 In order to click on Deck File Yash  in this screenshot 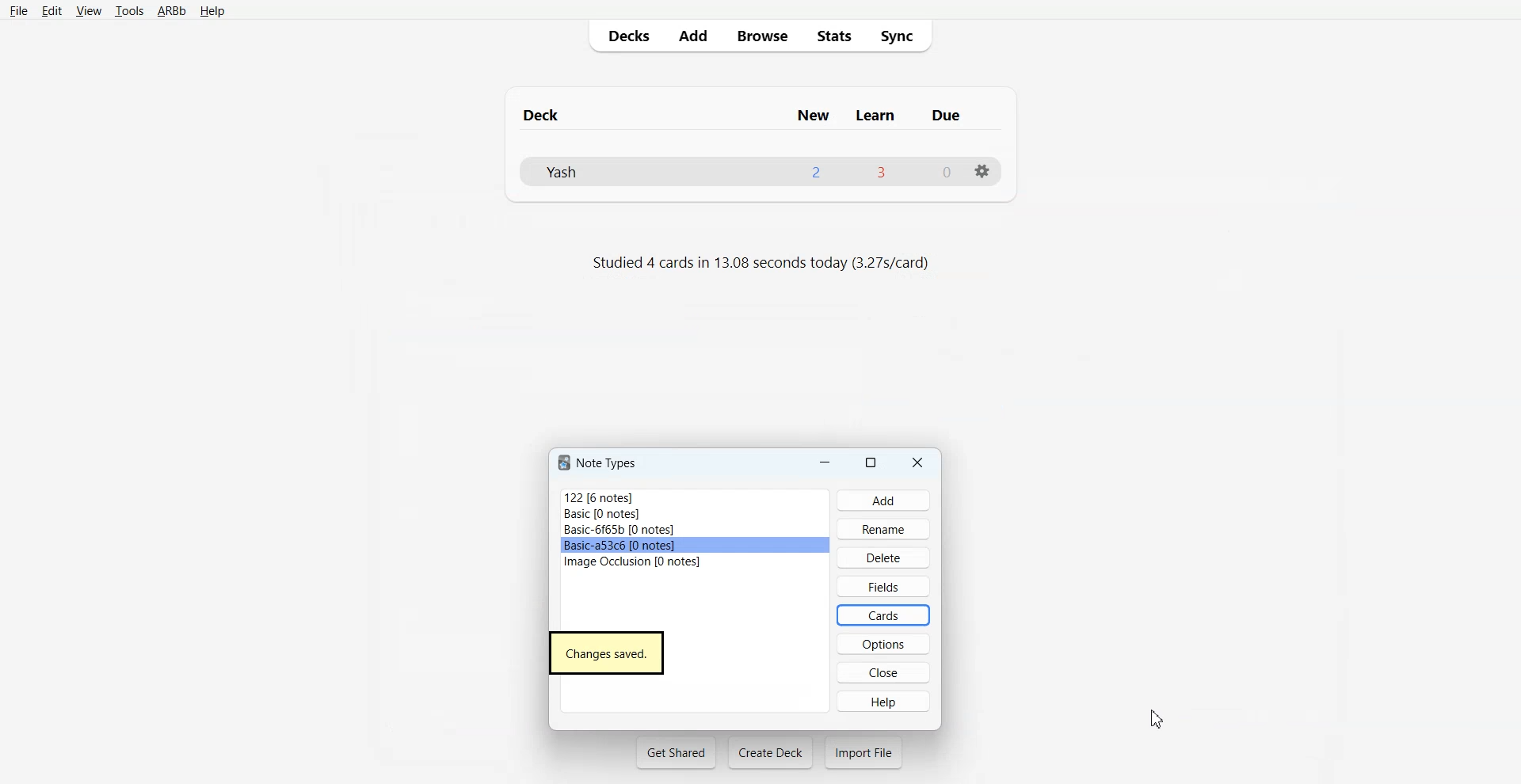, I will do `click(759, 171)`.